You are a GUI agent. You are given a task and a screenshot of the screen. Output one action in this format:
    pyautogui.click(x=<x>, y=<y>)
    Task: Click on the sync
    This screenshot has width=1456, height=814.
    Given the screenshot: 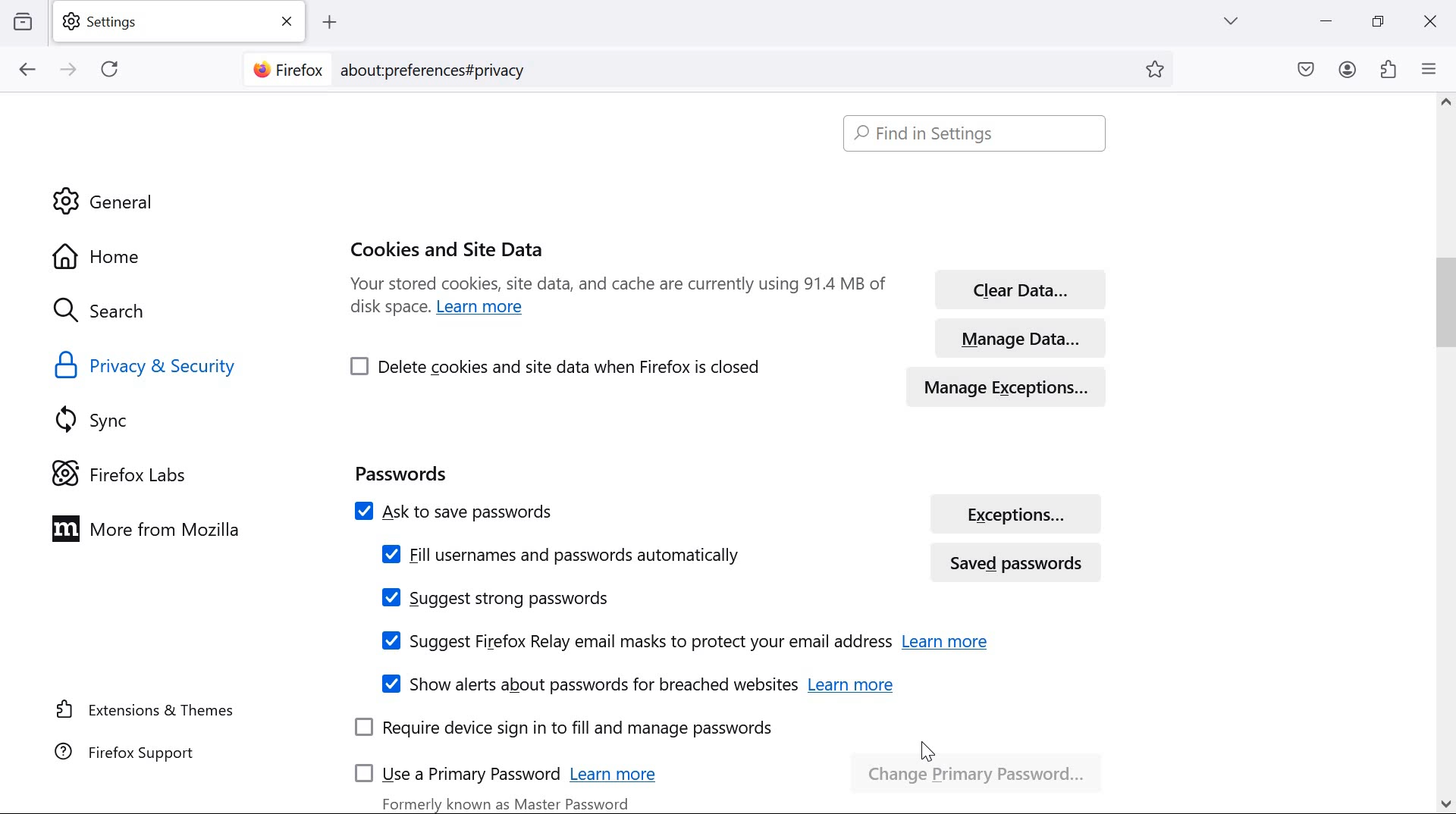 What is the action you would take?
    pyautogui.click(x=99, y=419)
    